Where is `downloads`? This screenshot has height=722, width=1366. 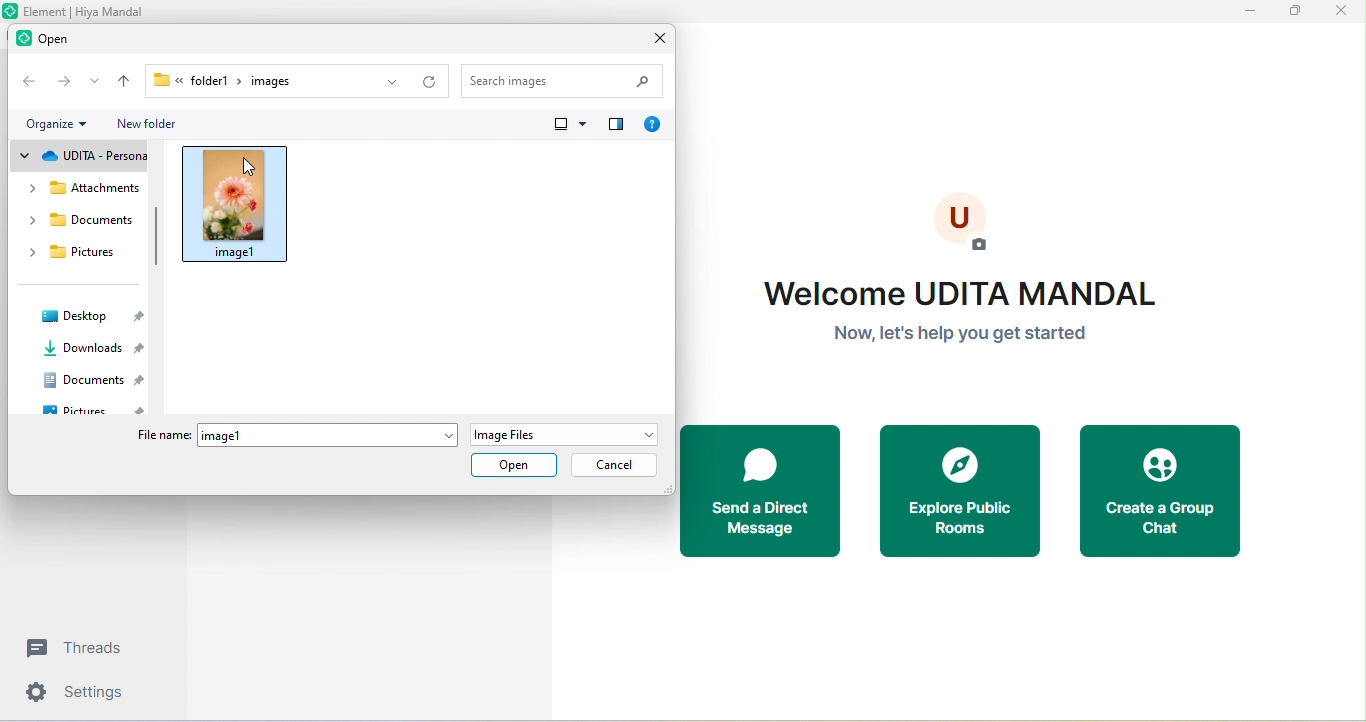 downloads is located at coordinates (88, 349).